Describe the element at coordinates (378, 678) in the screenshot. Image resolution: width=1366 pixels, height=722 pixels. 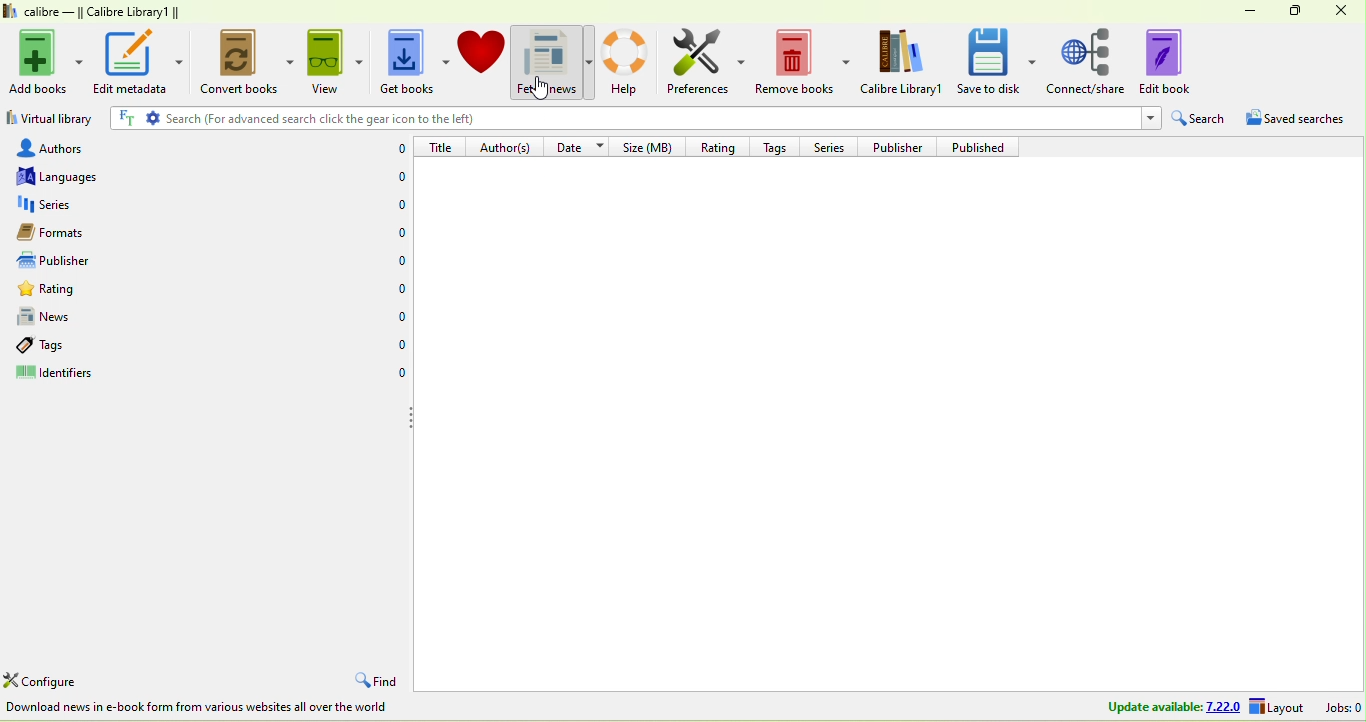
I see `find` at that location.